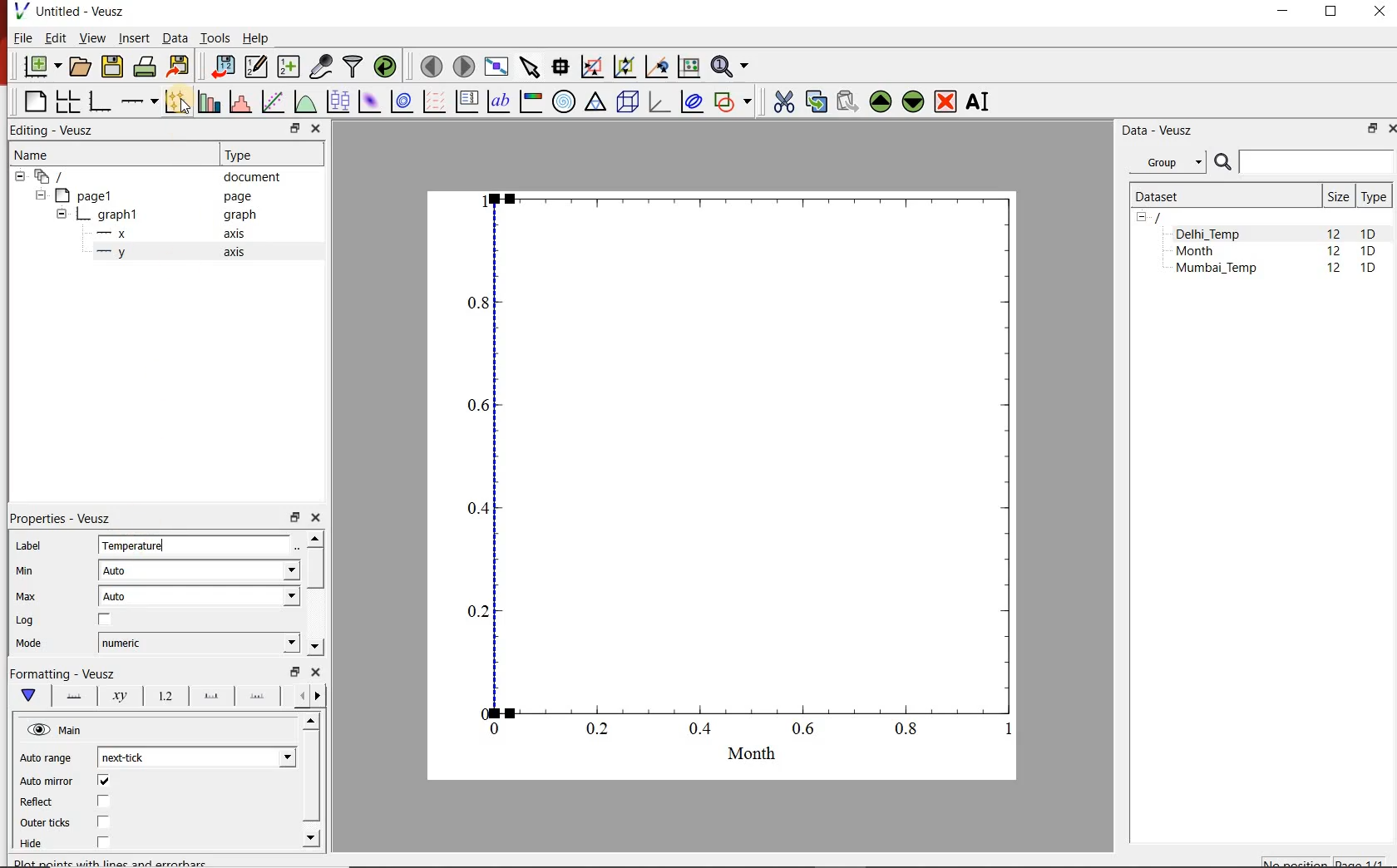  What do you see at coordinates (466, 102) in the screenshot?
I see `plot key` at bounding box center [466, 102].